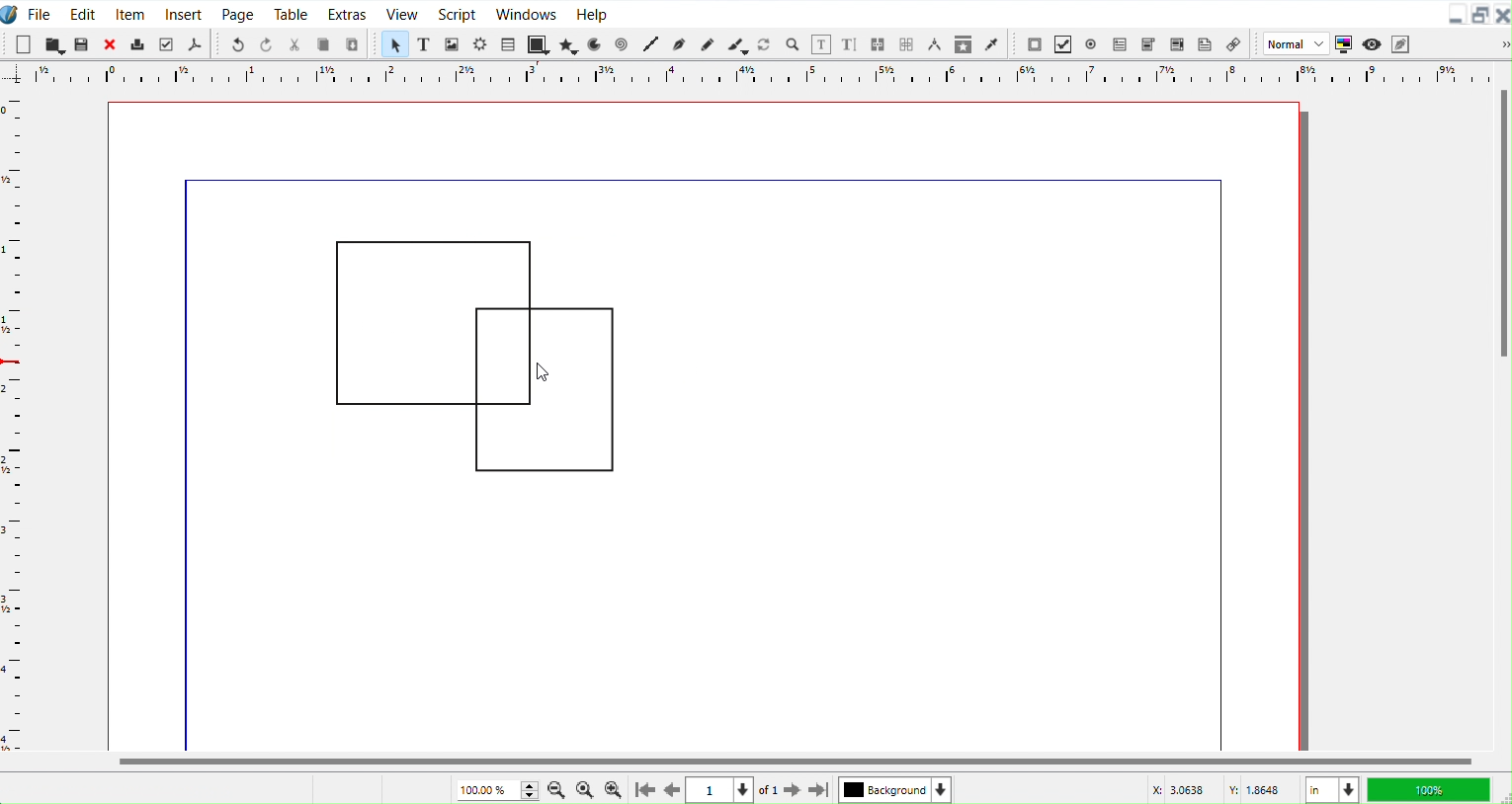  Describe the element at coordinates (1233, 43) in the screenshot. I see `Link Annotation` at that location.